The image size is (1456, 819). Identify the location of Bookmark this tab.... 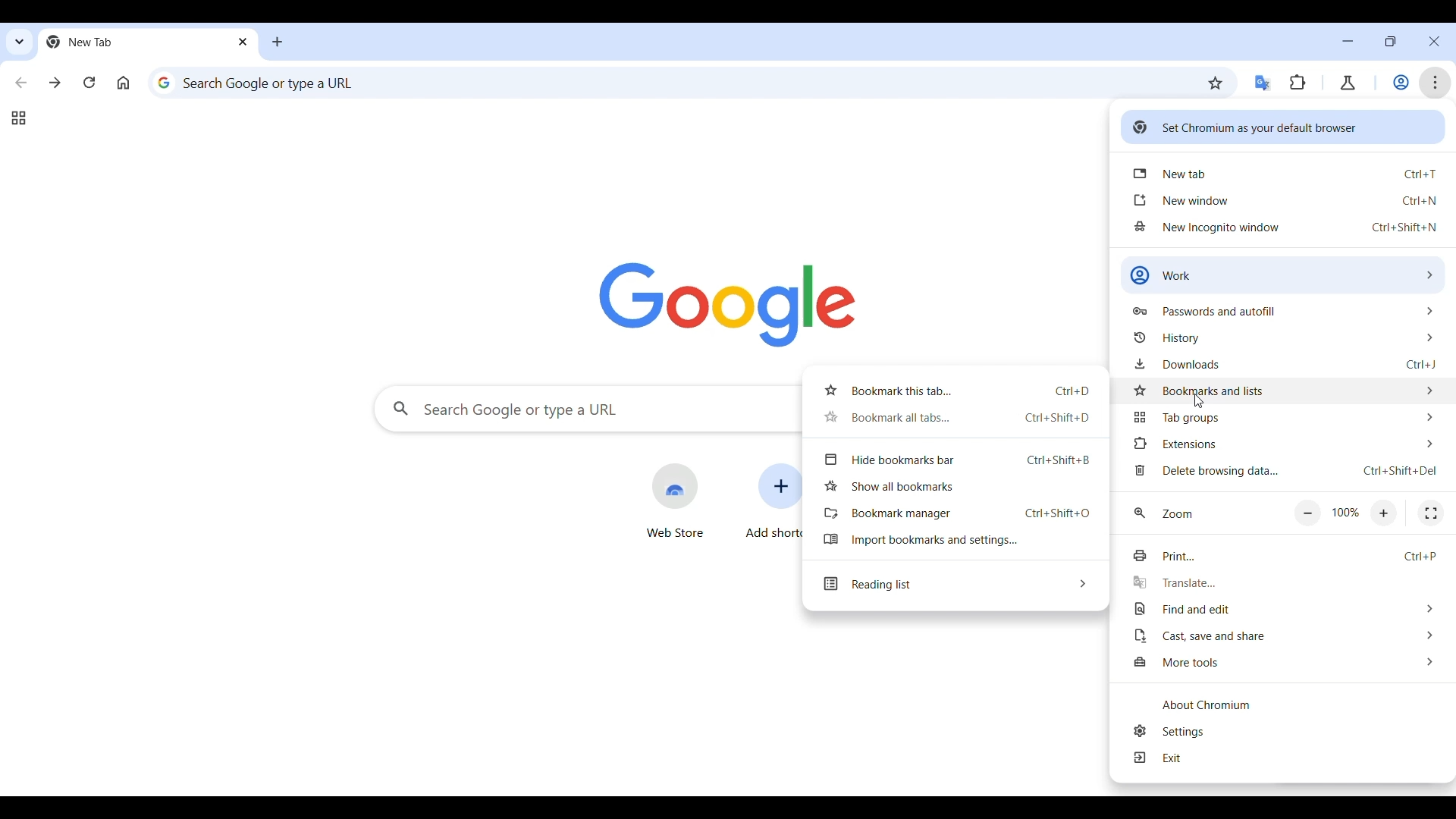
(954, 391).